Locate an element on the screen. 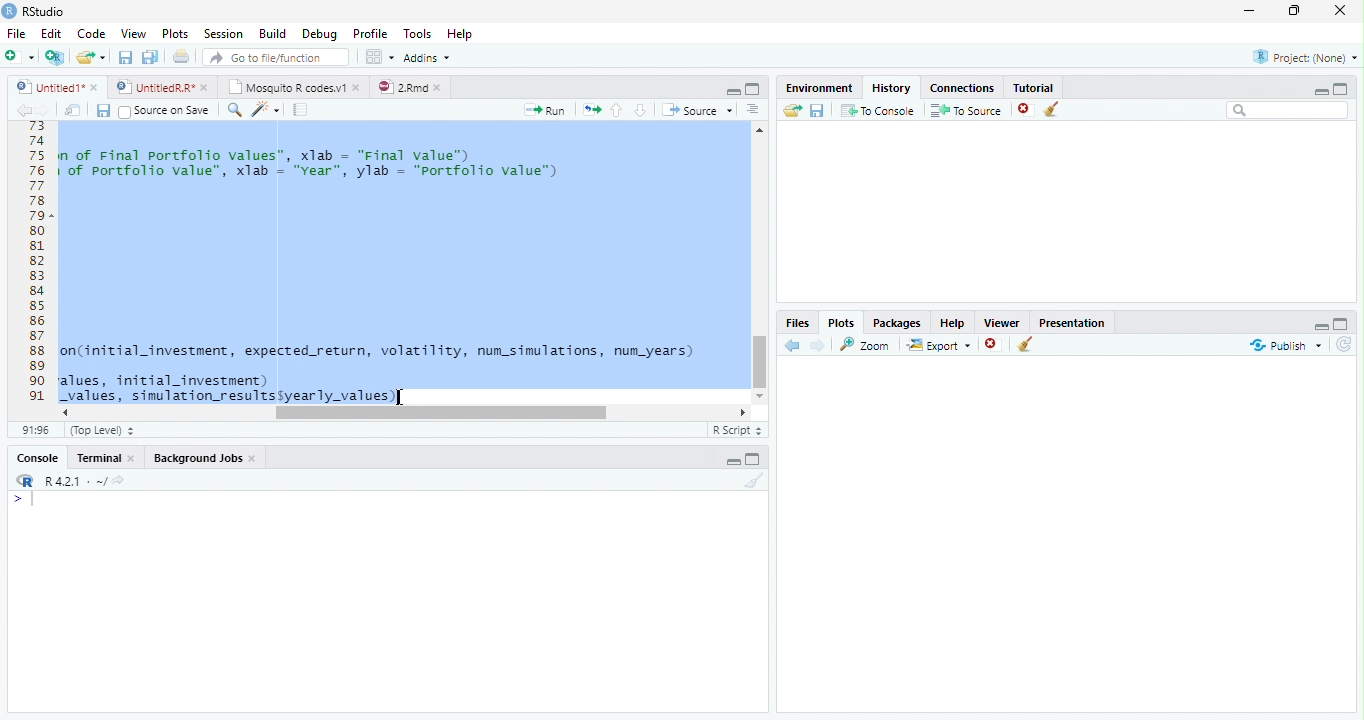  Go to file/function is located at coordinates (274, 57).